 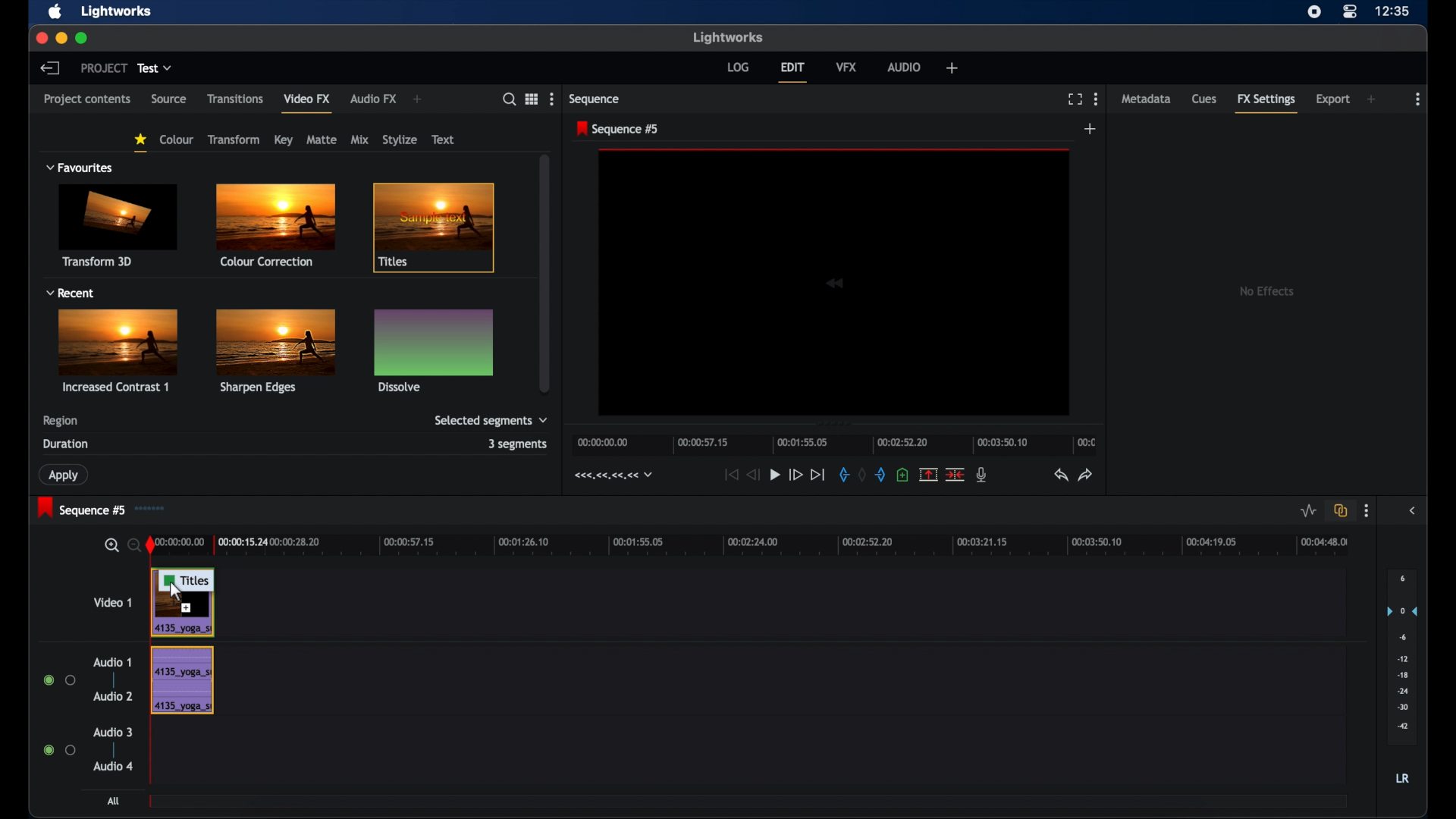 What do you see at coordinates (1264, 292) in the screenshot?
I see `no effects` at bounding box center [1264, 292].